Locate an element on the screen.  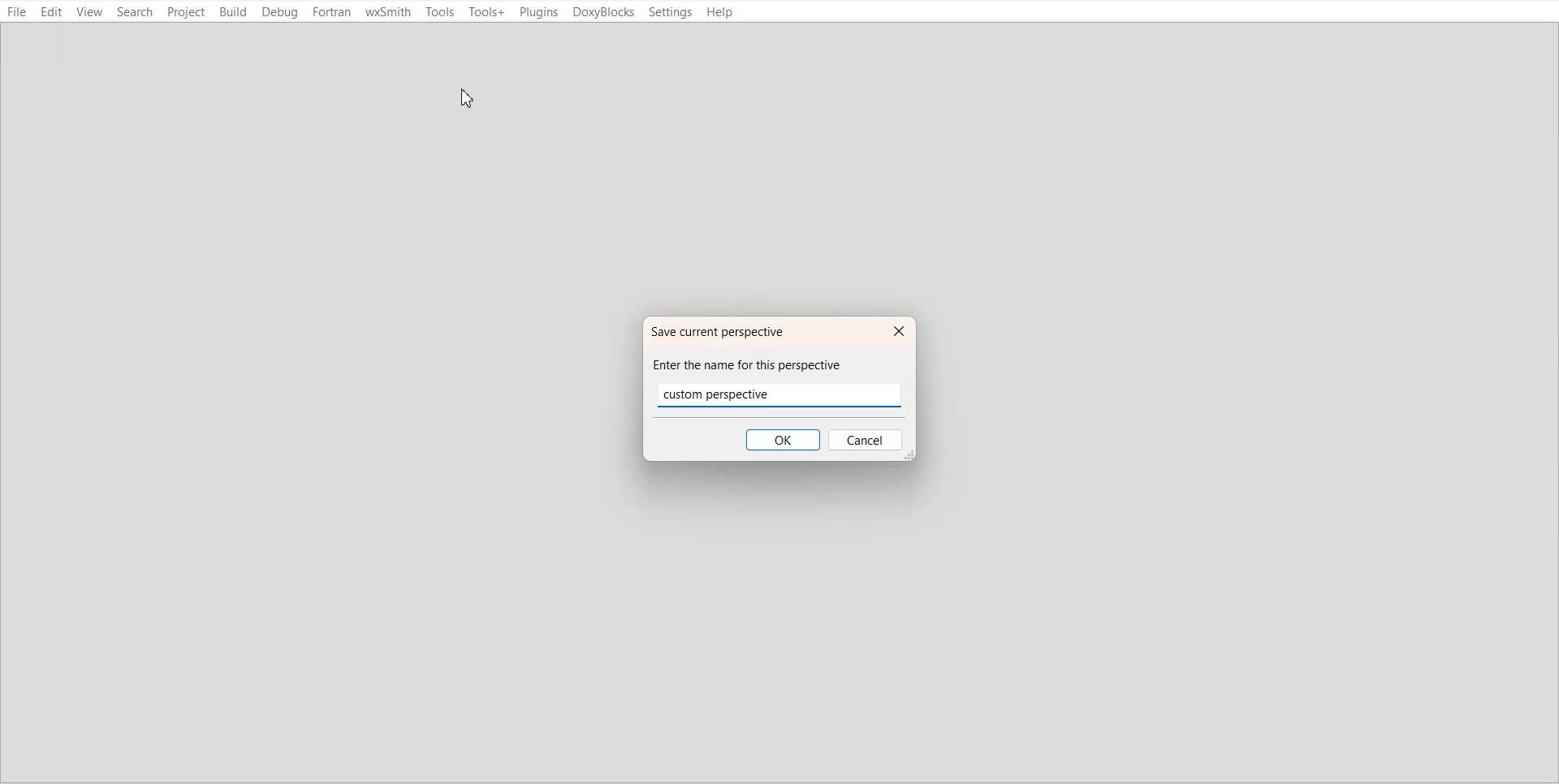
Close is located at coordinates (896, 332).